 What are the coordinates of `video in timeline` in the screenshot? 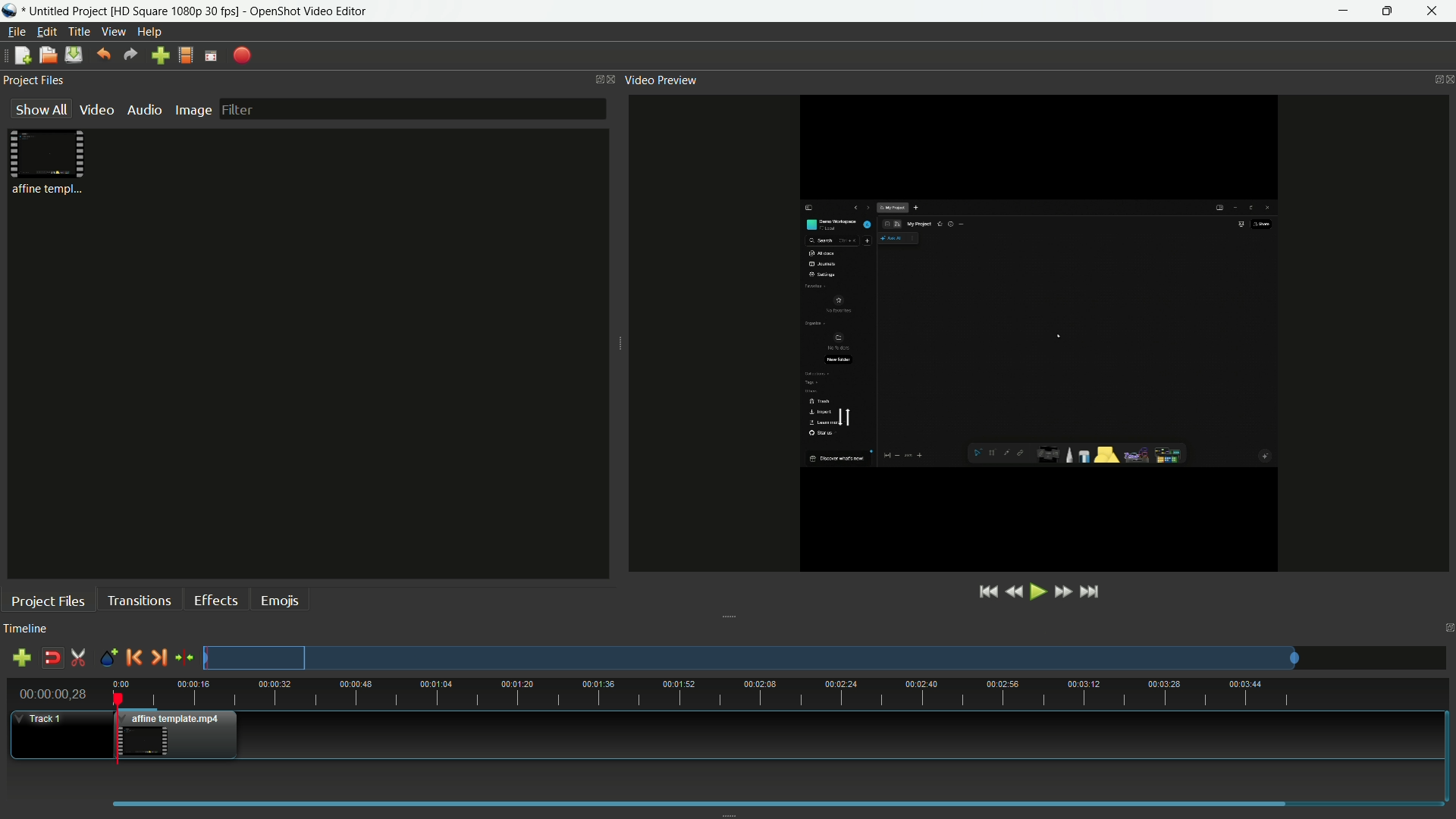 It's located at (180, 735).